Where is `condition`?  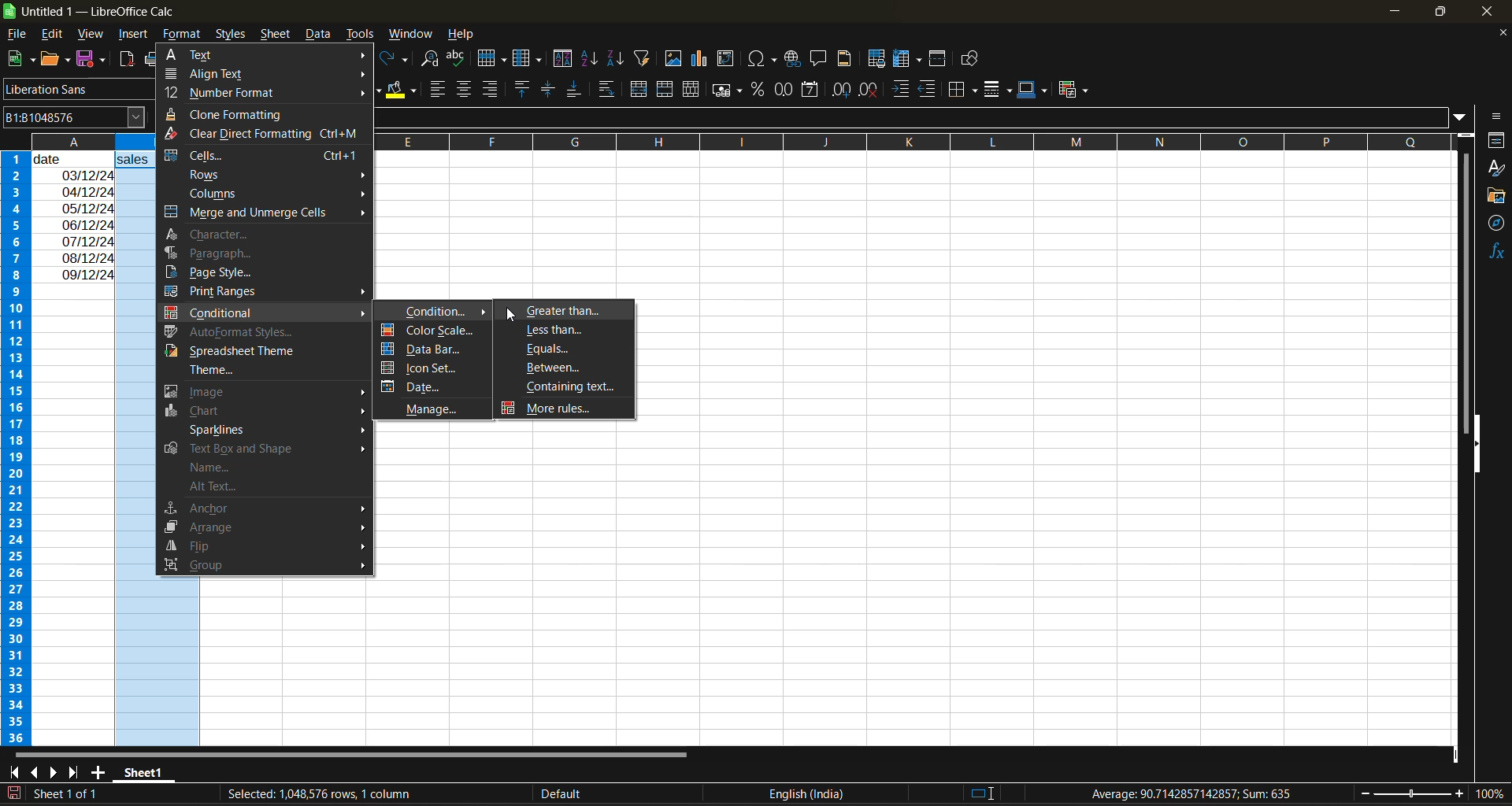
condition is located at coordinates (439, 311).